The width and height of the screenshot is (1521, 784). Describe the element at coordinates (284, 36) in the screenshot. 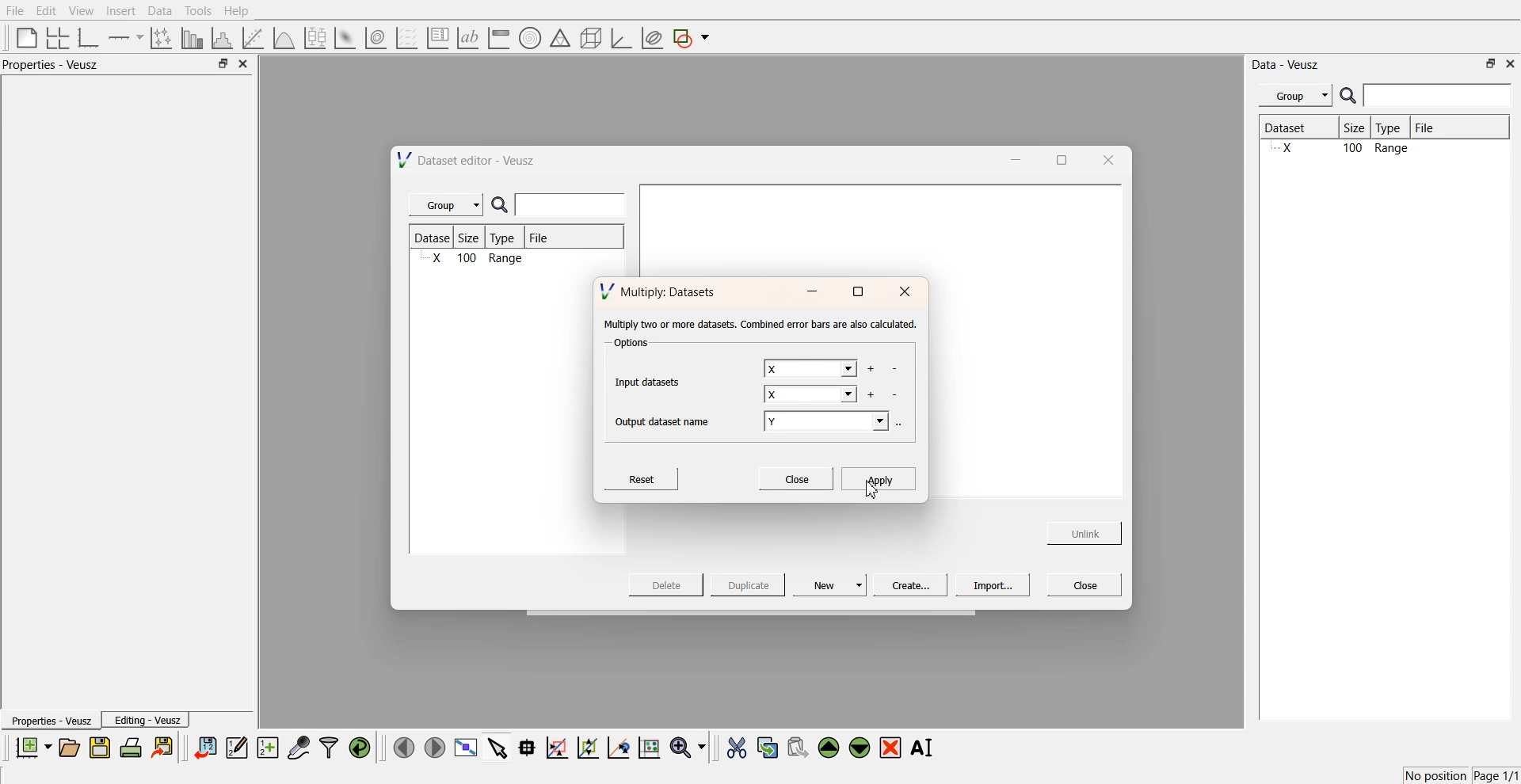

I see `plot a function on a graph` at that location.